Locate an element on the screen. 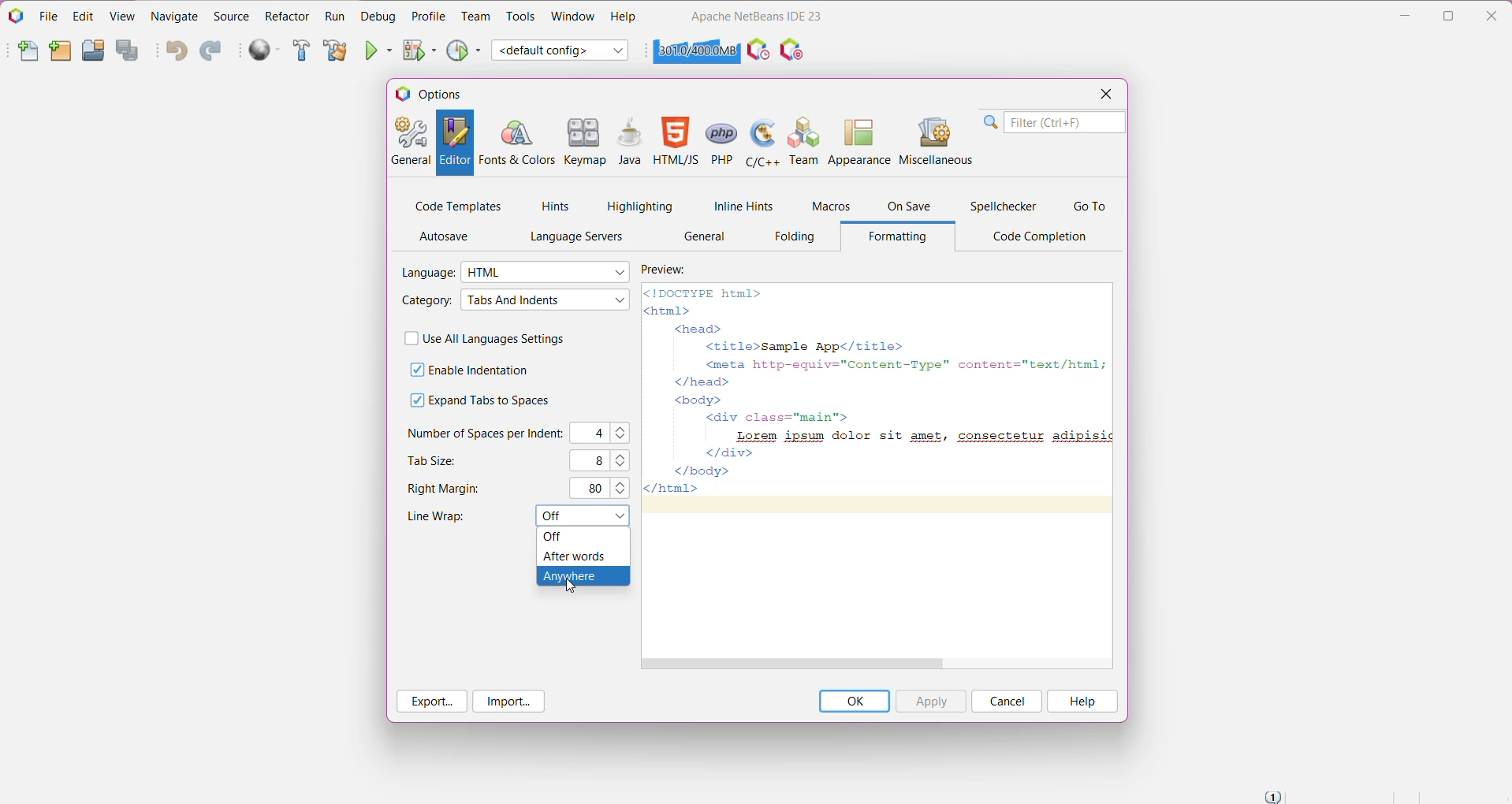 The width and height of the screenshot is (1512, 804). Minimize is located at coordinates (1405, 16).